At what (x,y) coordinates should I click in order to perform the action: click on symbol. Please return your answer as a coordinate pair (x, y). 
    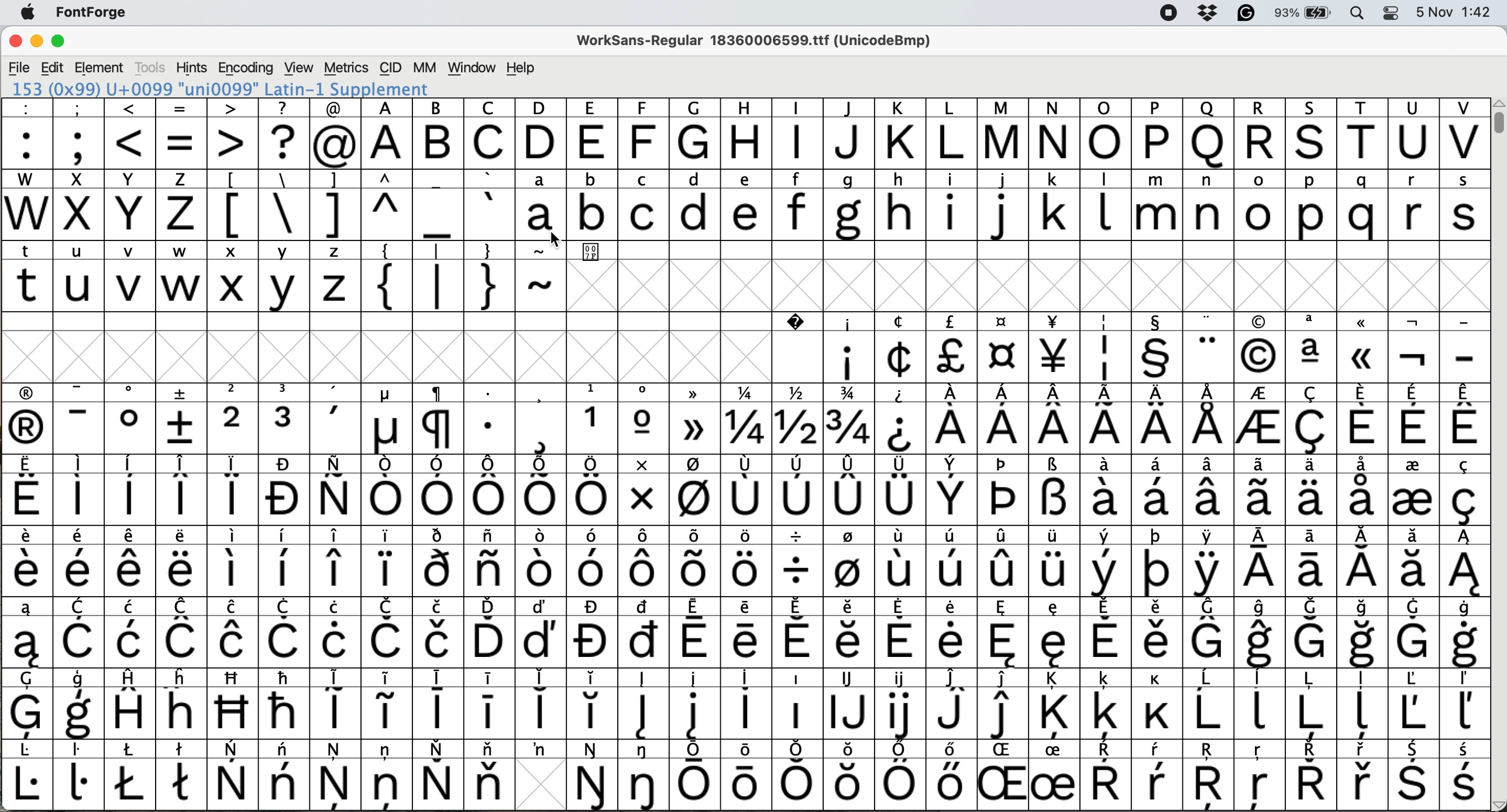
    Looking at the image, I should click on (643, 562).